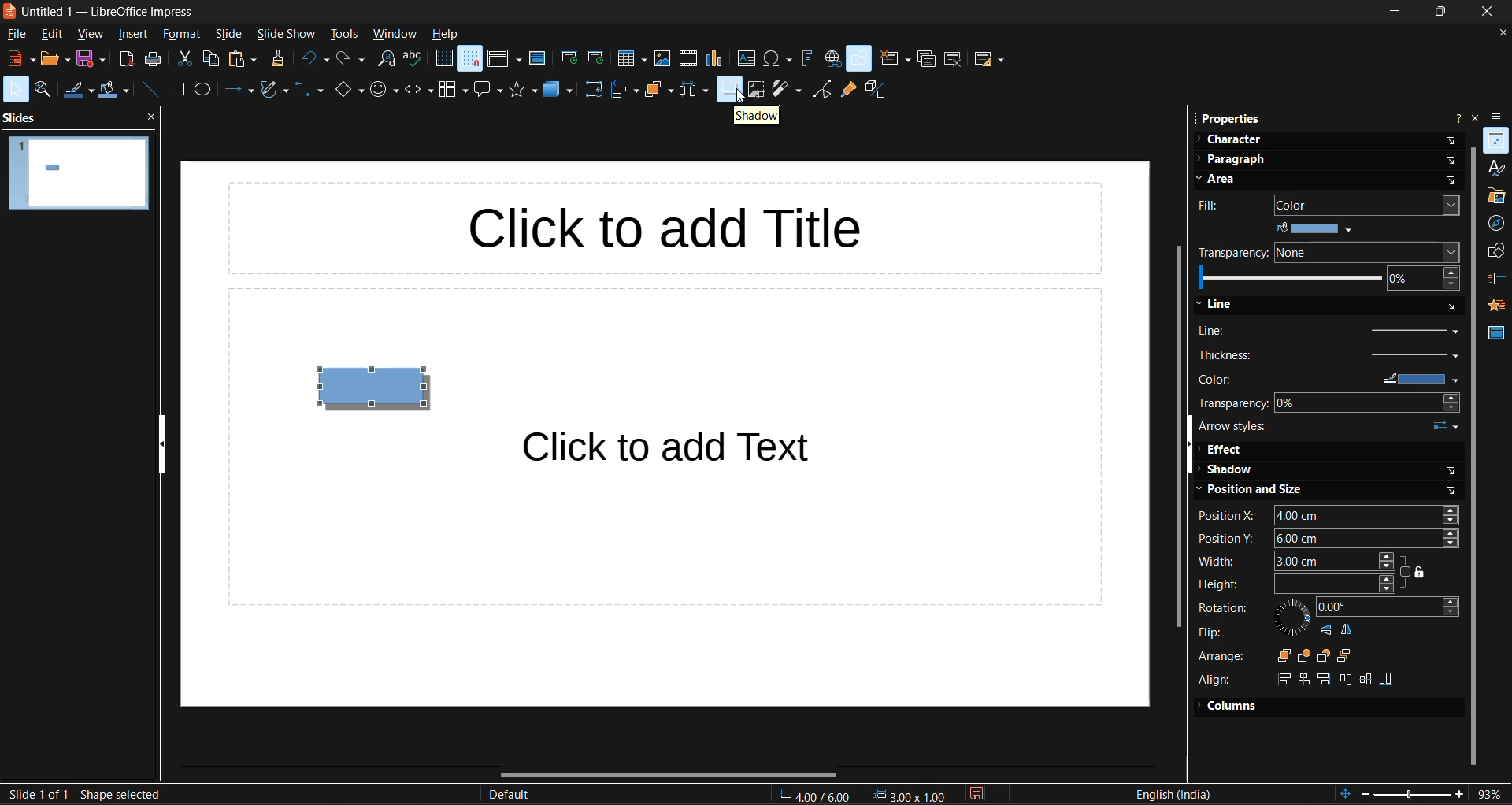 This screenshot has height=805, width=1512. I want to click on arrange, so click(656, 89).